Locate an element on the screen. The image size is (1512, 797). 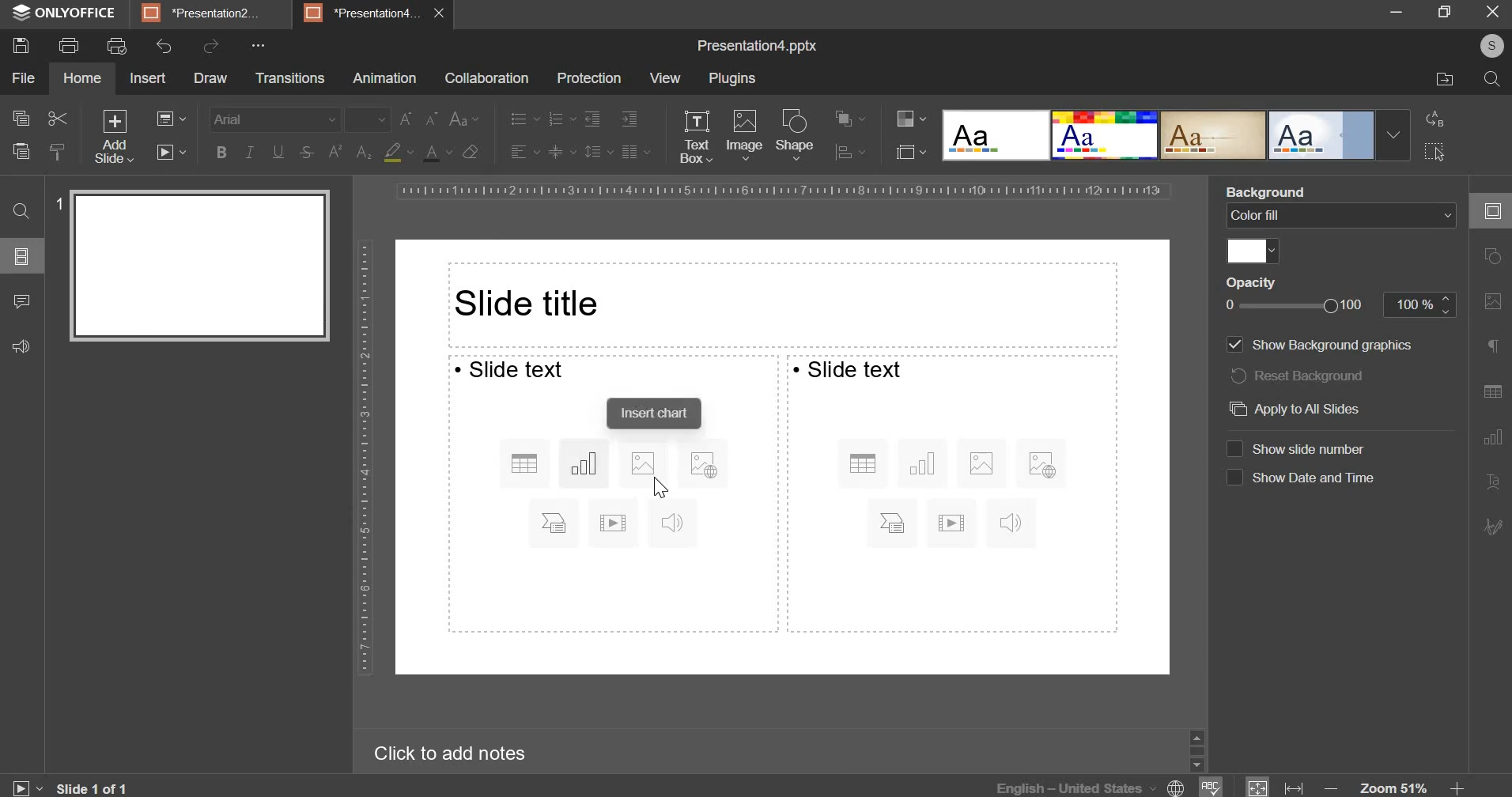
change font size is located at coordinates (419, 118).